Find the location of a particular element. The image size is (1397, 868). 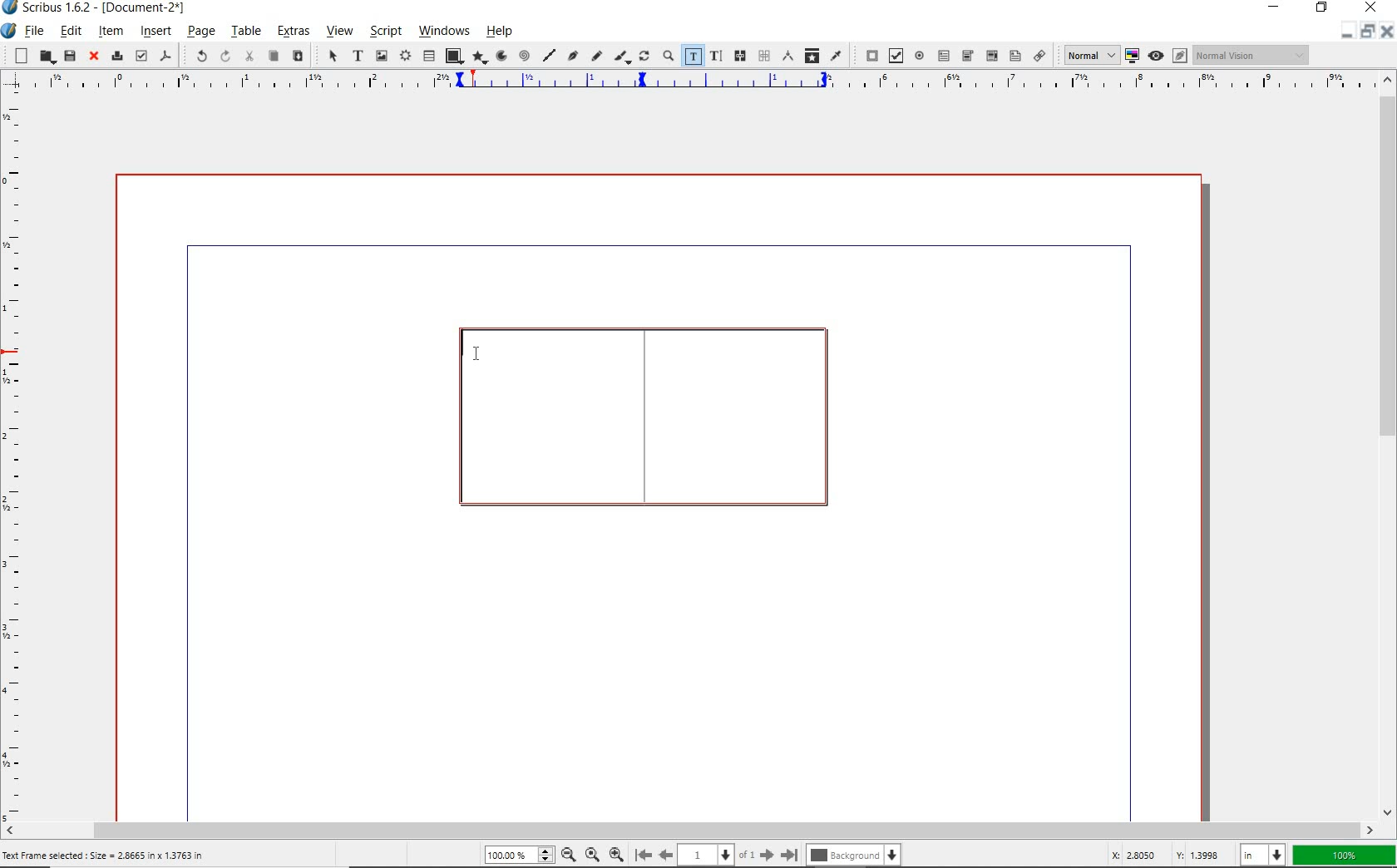

text frame is located at coordinates (358, 56).